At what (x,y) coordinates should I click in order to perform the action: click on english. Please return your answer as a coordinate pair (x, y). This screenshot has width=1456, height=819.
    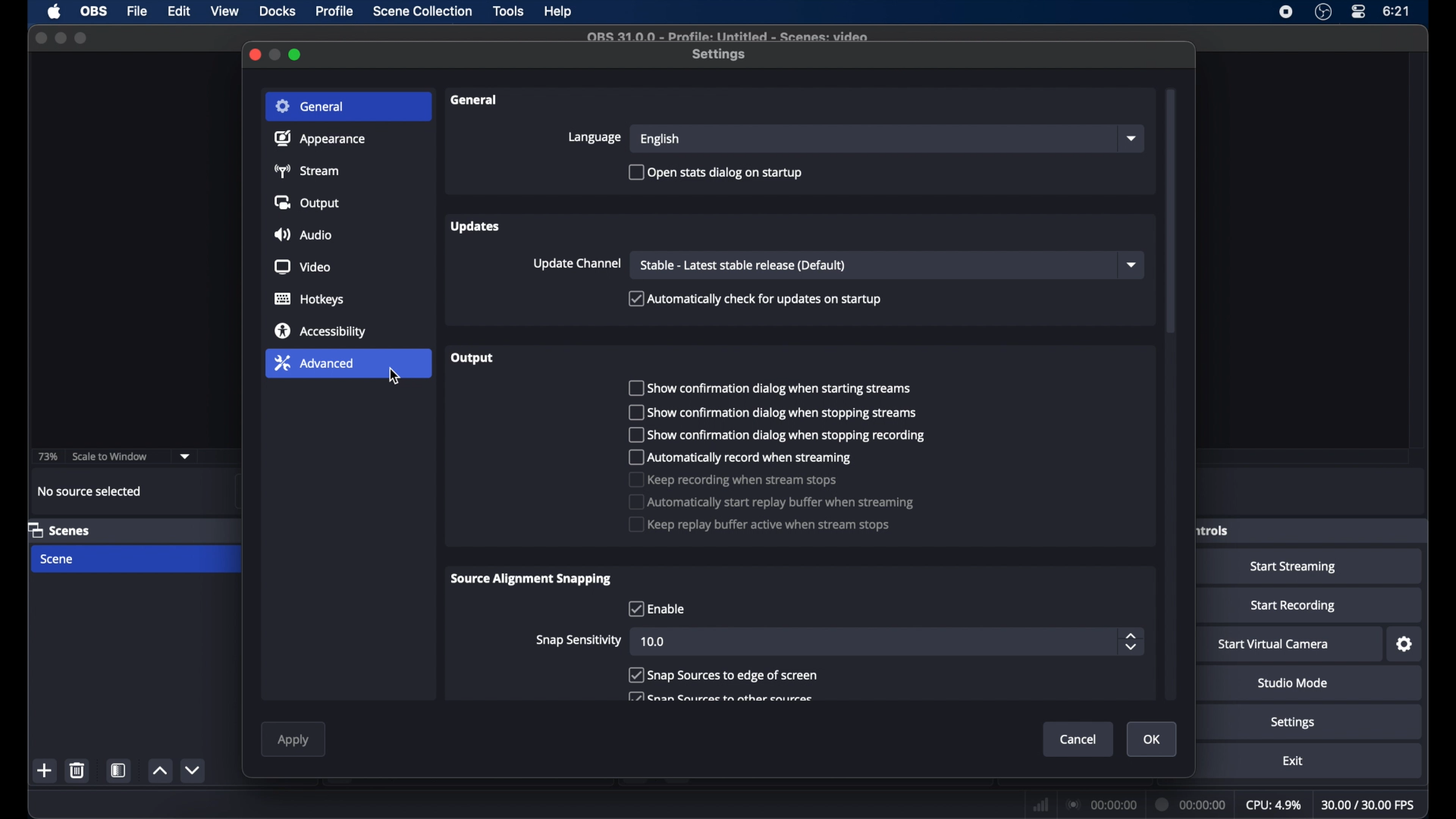
    Looking at the image, I should click on (661, 140).